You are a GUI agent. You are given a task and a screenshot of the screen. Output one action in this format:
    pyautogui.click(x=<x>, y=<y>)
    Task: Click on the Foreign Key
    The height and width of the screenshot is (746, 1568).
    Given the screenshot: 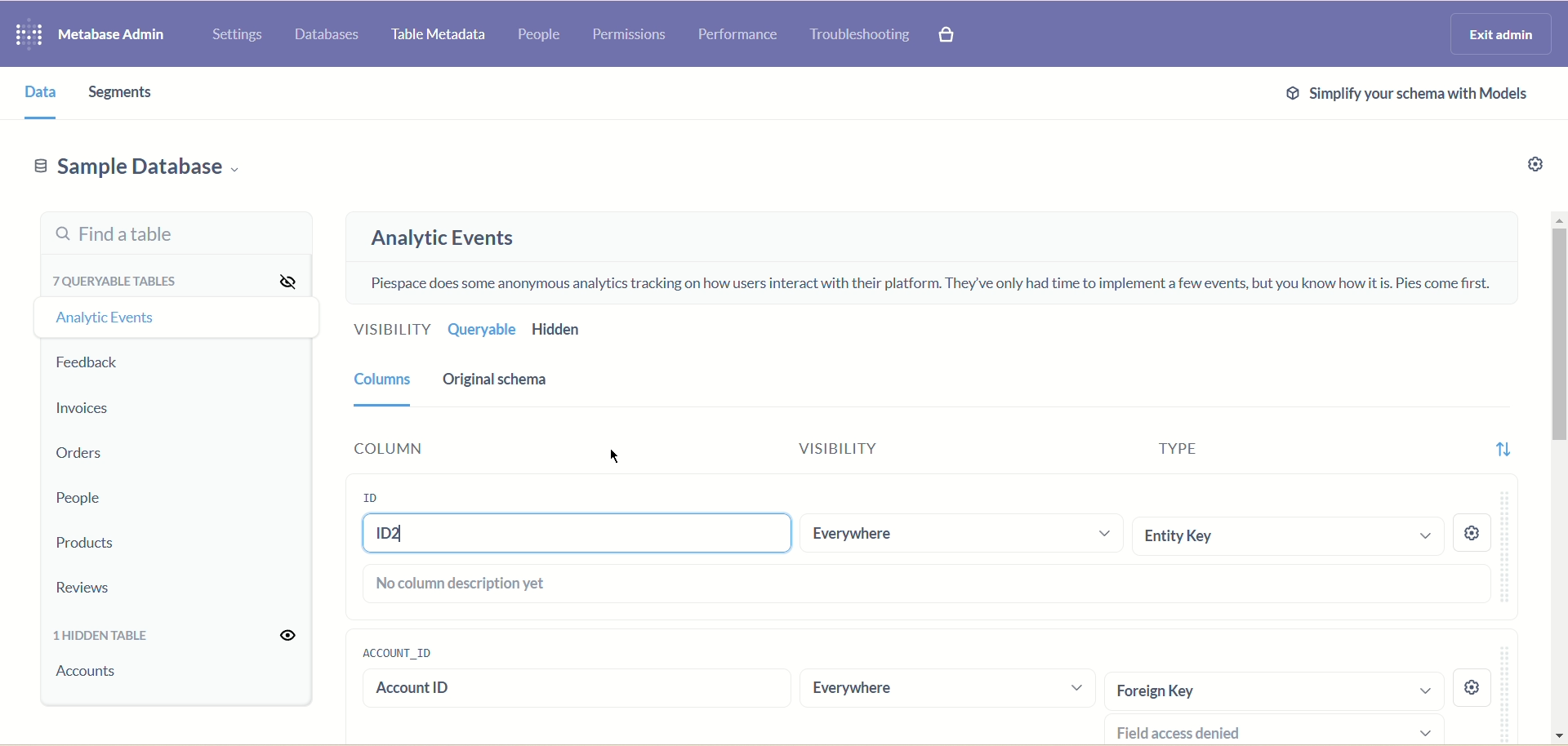 What is the action you would take?
    pyautogui.click(x=1270, y=690)
    